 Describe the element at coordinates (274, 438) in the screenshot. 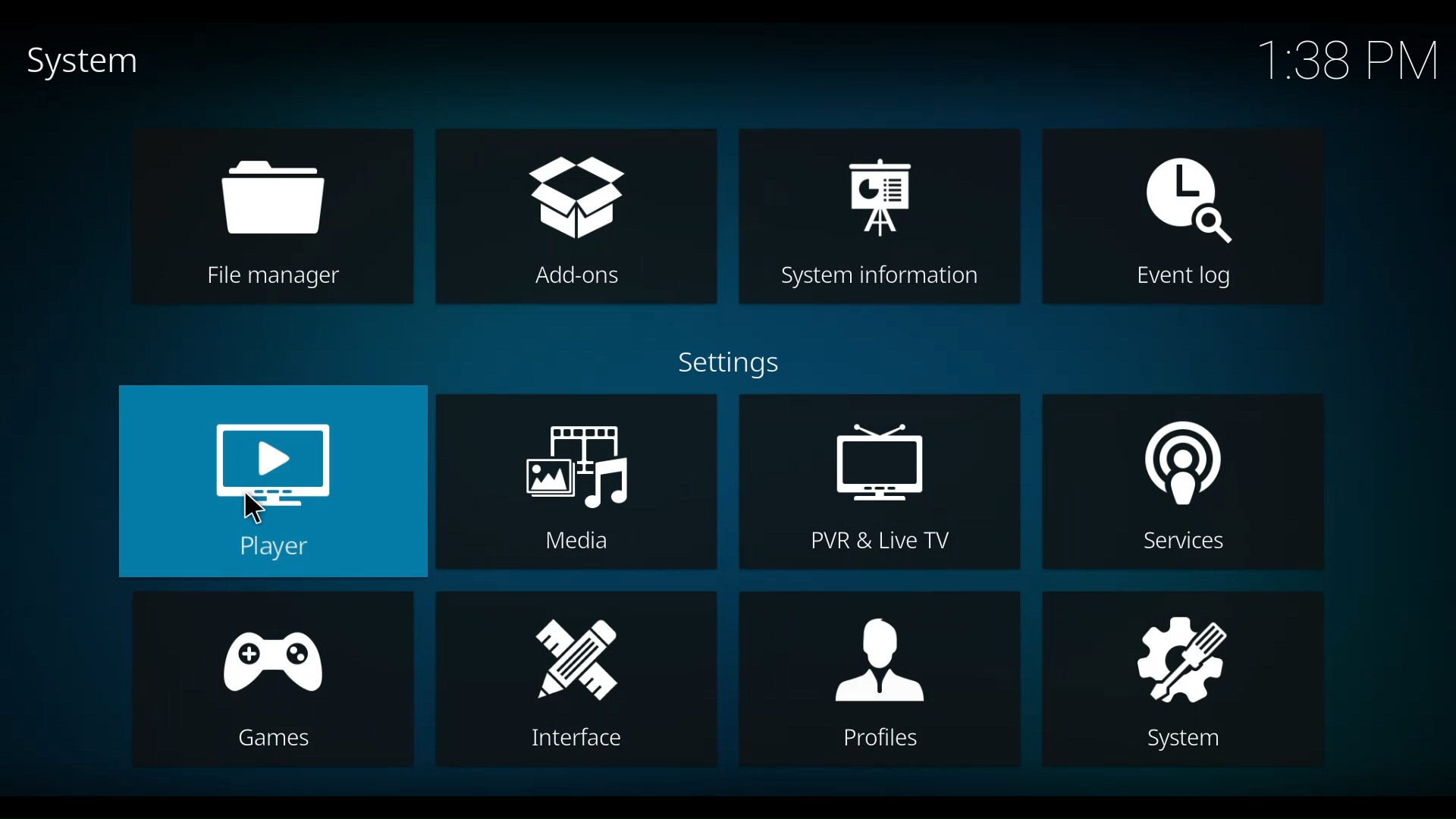

I see `Player` at that location.